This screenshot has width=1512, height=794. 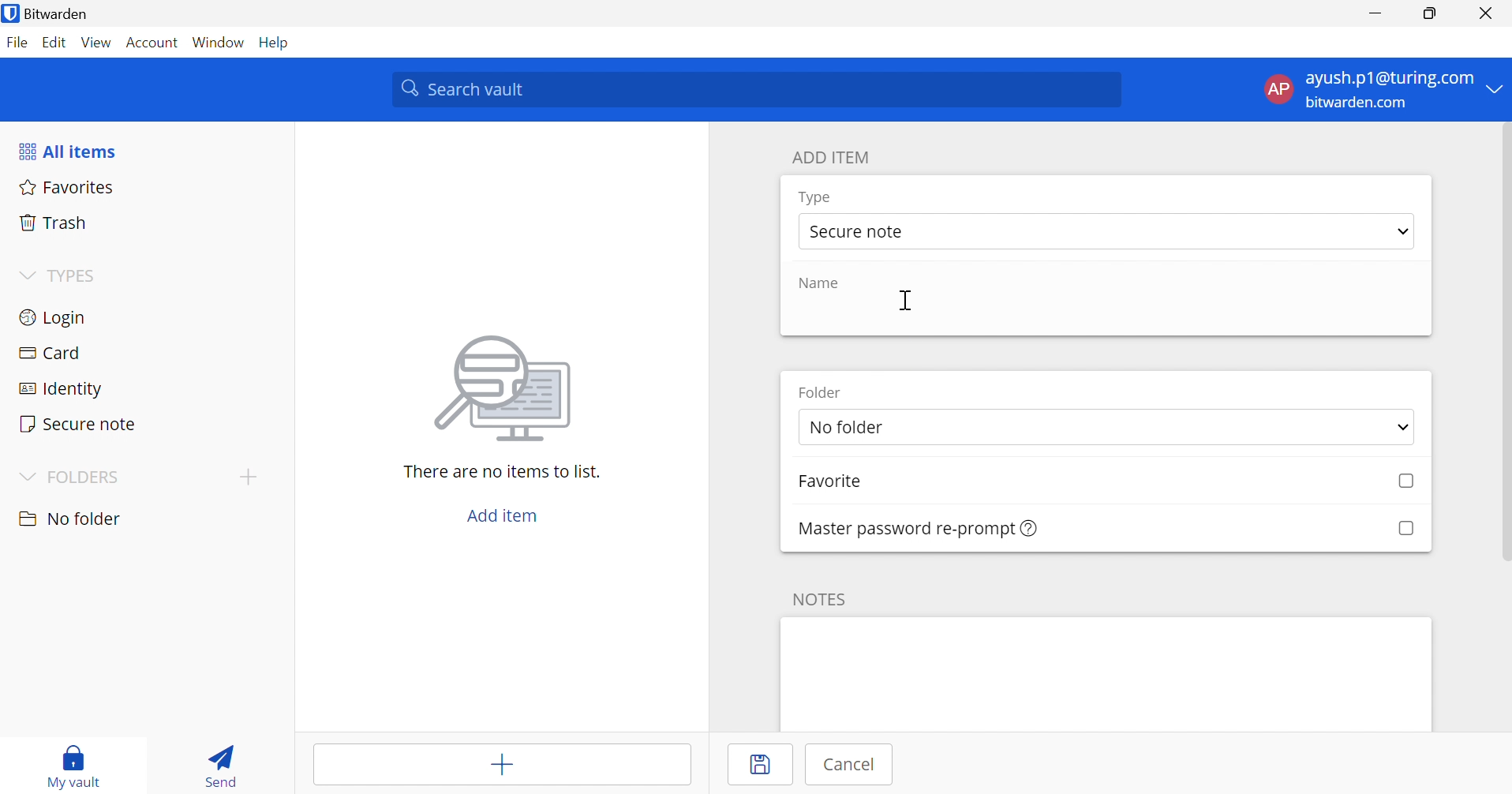 I want to click on There are no items to list, so click(x=501, y=472).